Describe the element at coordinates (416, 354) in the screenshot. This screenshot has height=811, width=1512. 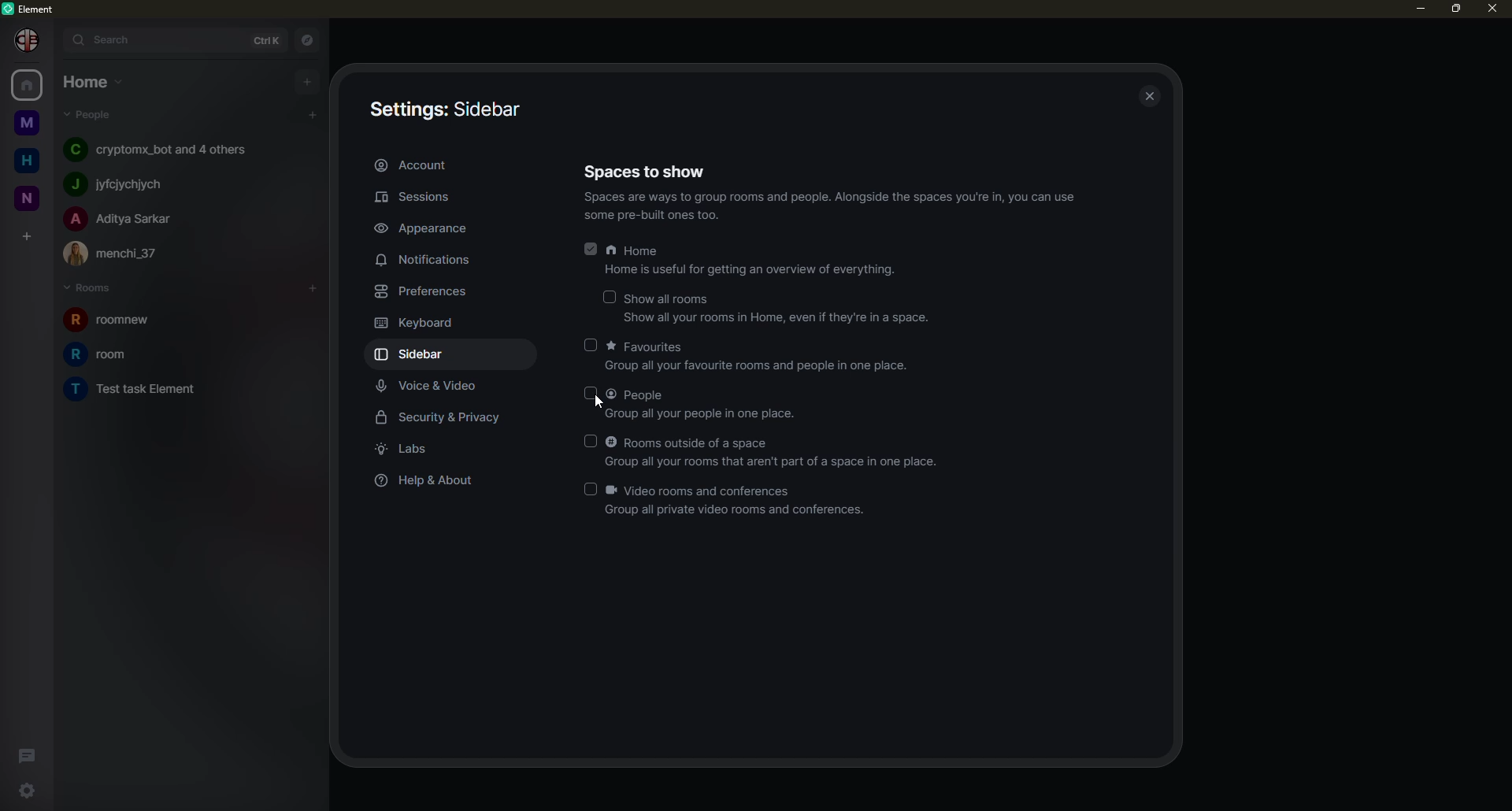
I see `sidebar` at that location.